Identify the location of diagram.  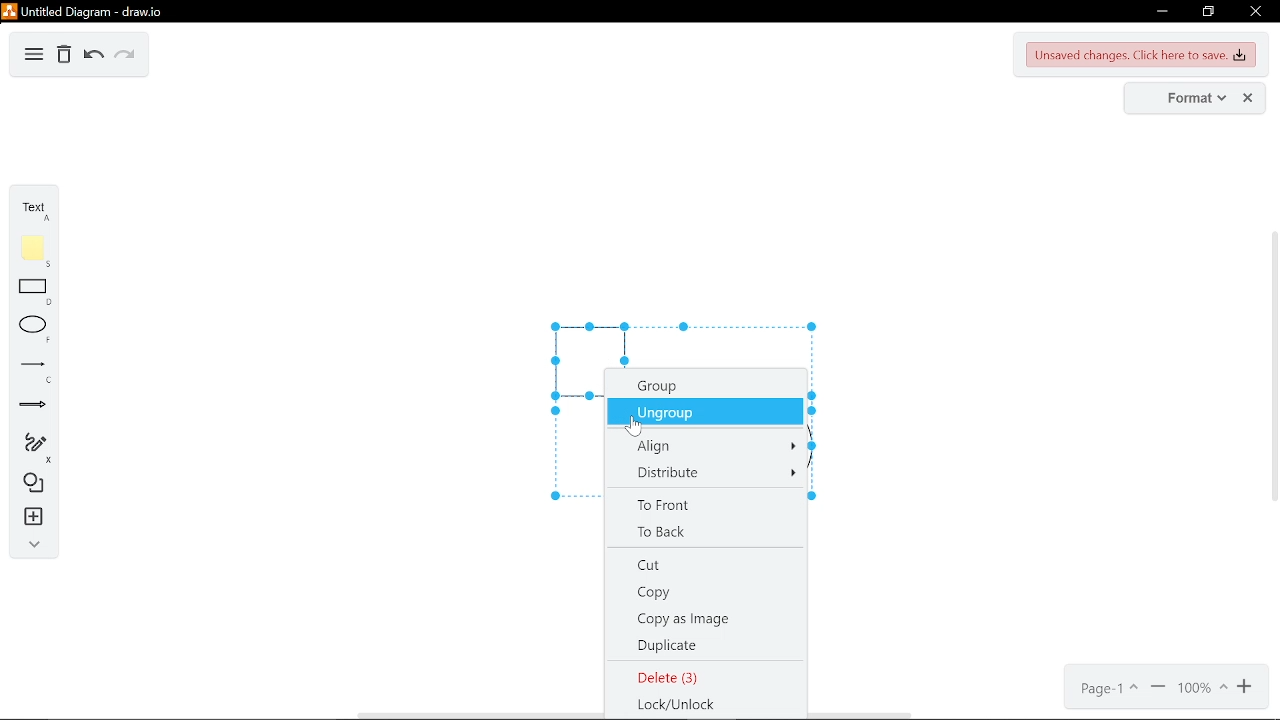
(34, 56).